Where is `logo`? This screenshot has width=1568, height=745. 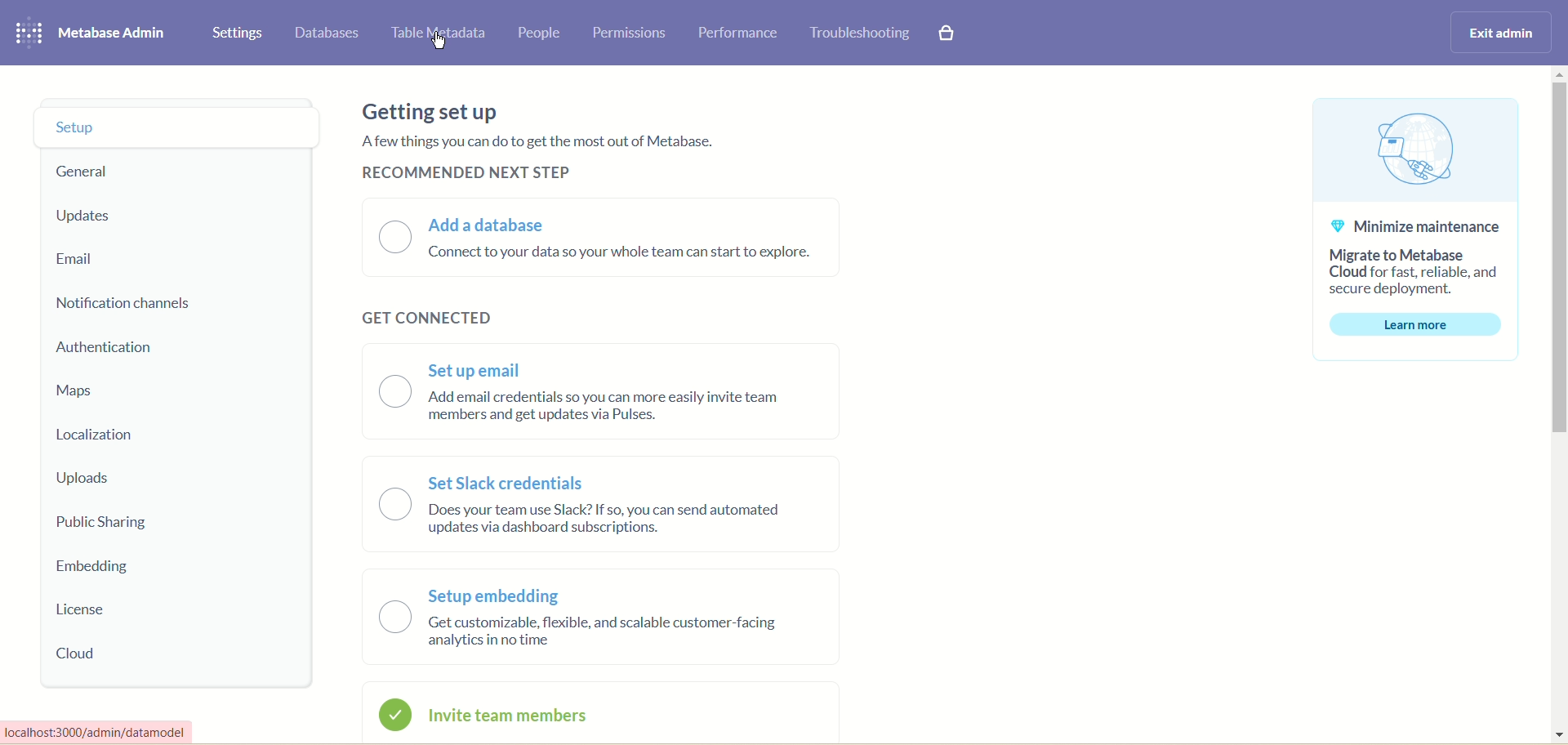 logo is located at coordinates (28, 31).